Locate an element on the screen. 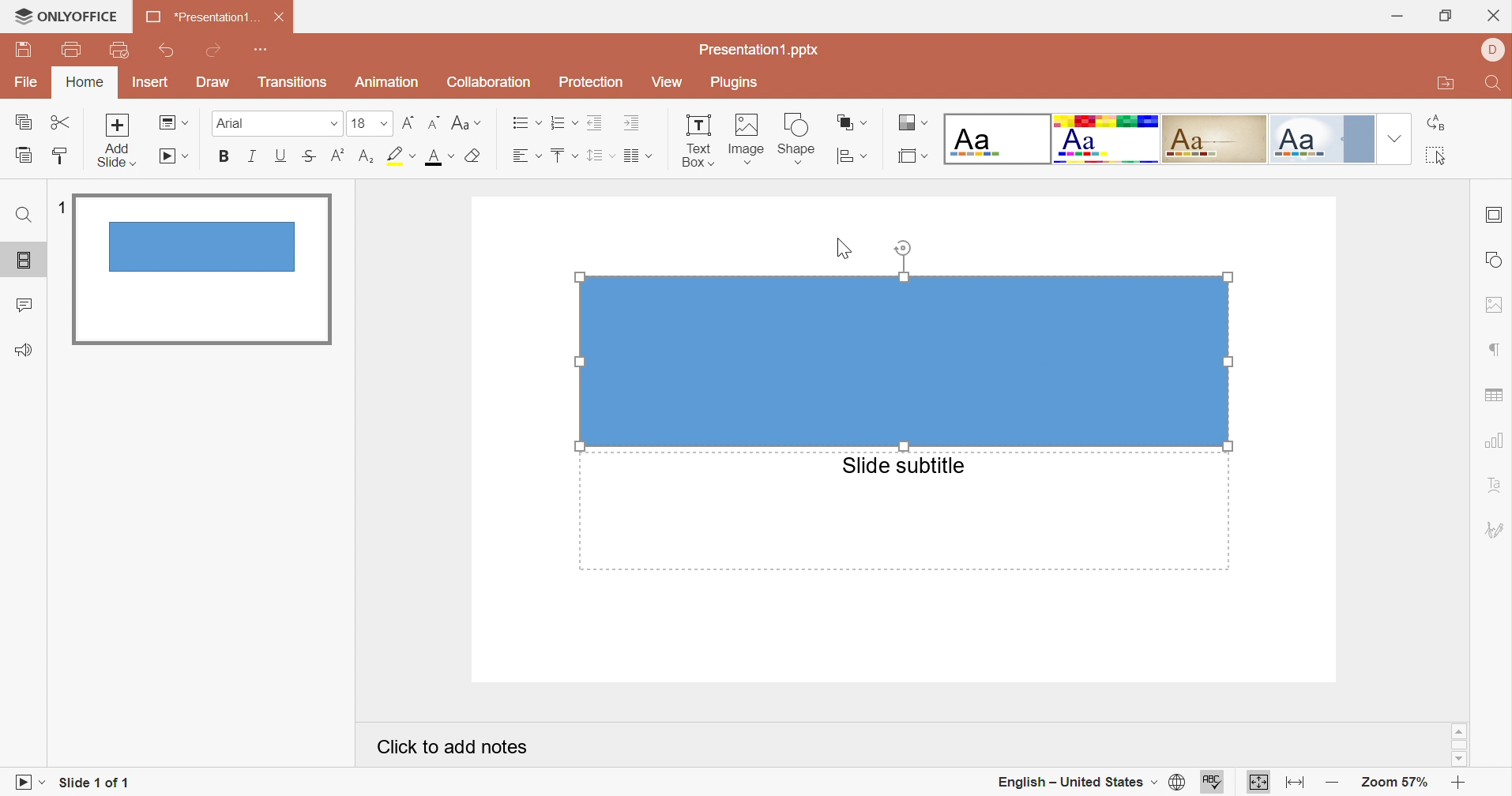  Bold is located at coordinates (226, 156).